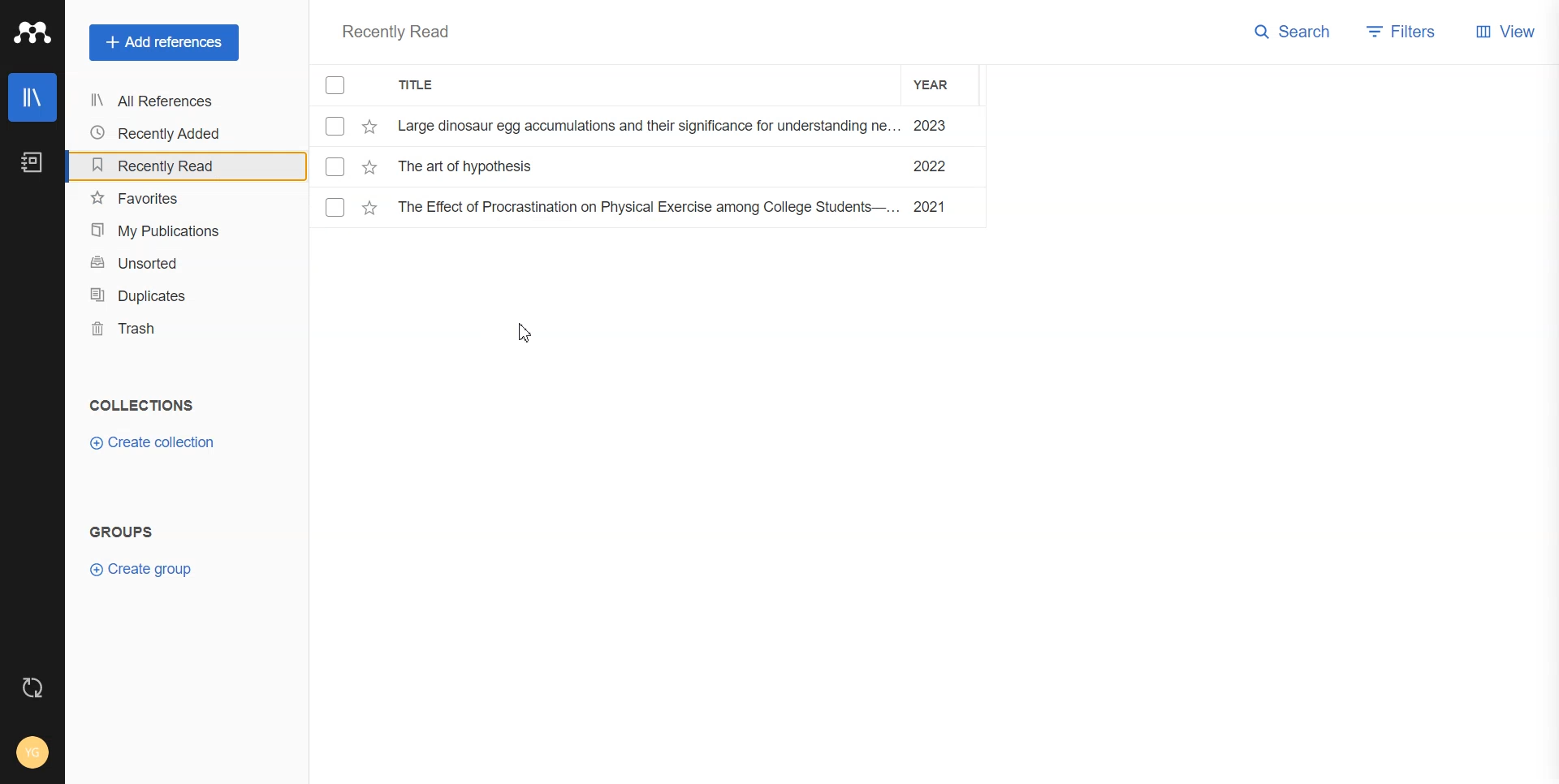  I want to click on Create group, so click(145, 569).